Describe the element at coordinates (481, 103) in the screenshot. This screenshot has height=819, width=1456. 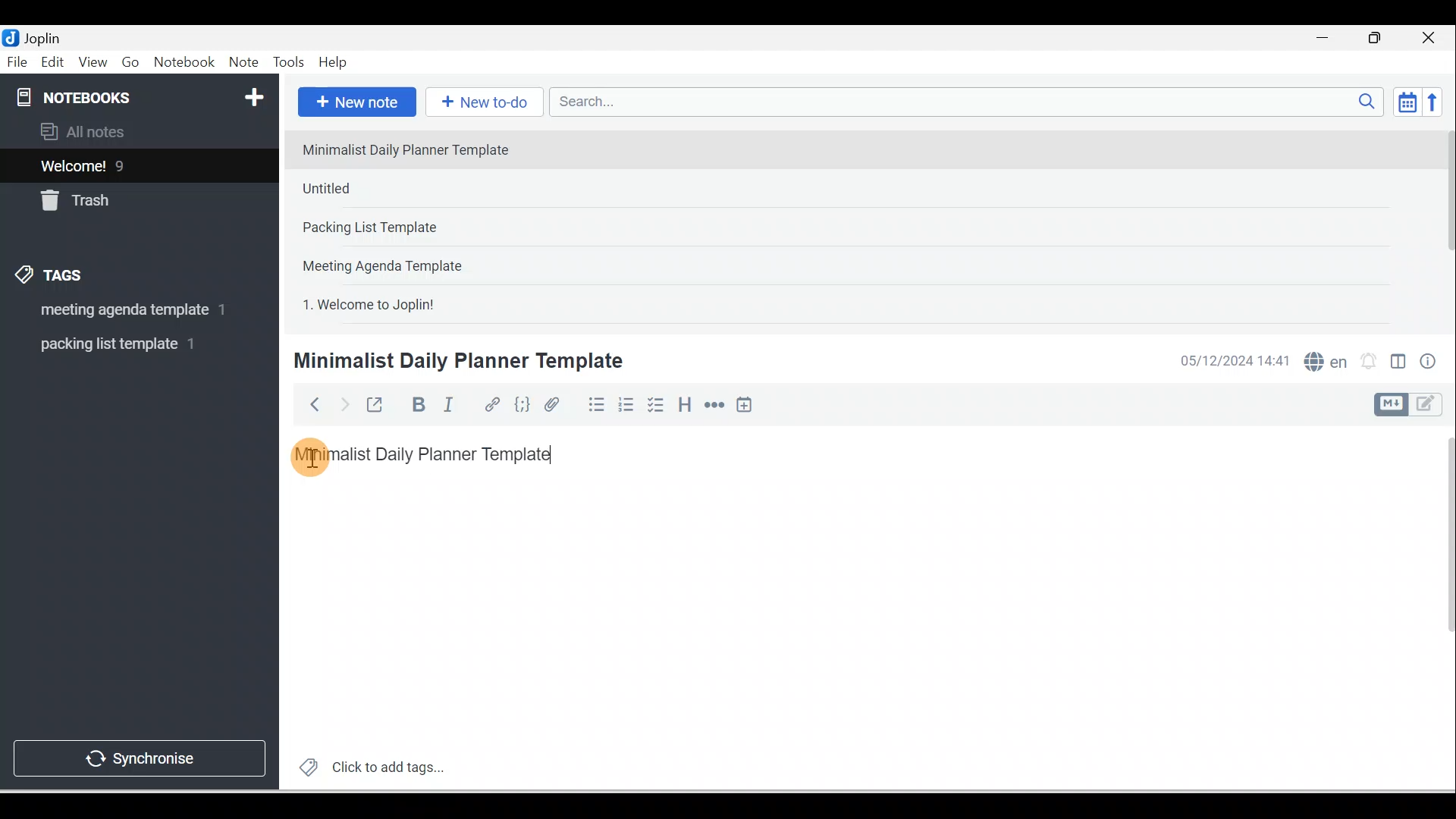
I see `New to-do` at that location.